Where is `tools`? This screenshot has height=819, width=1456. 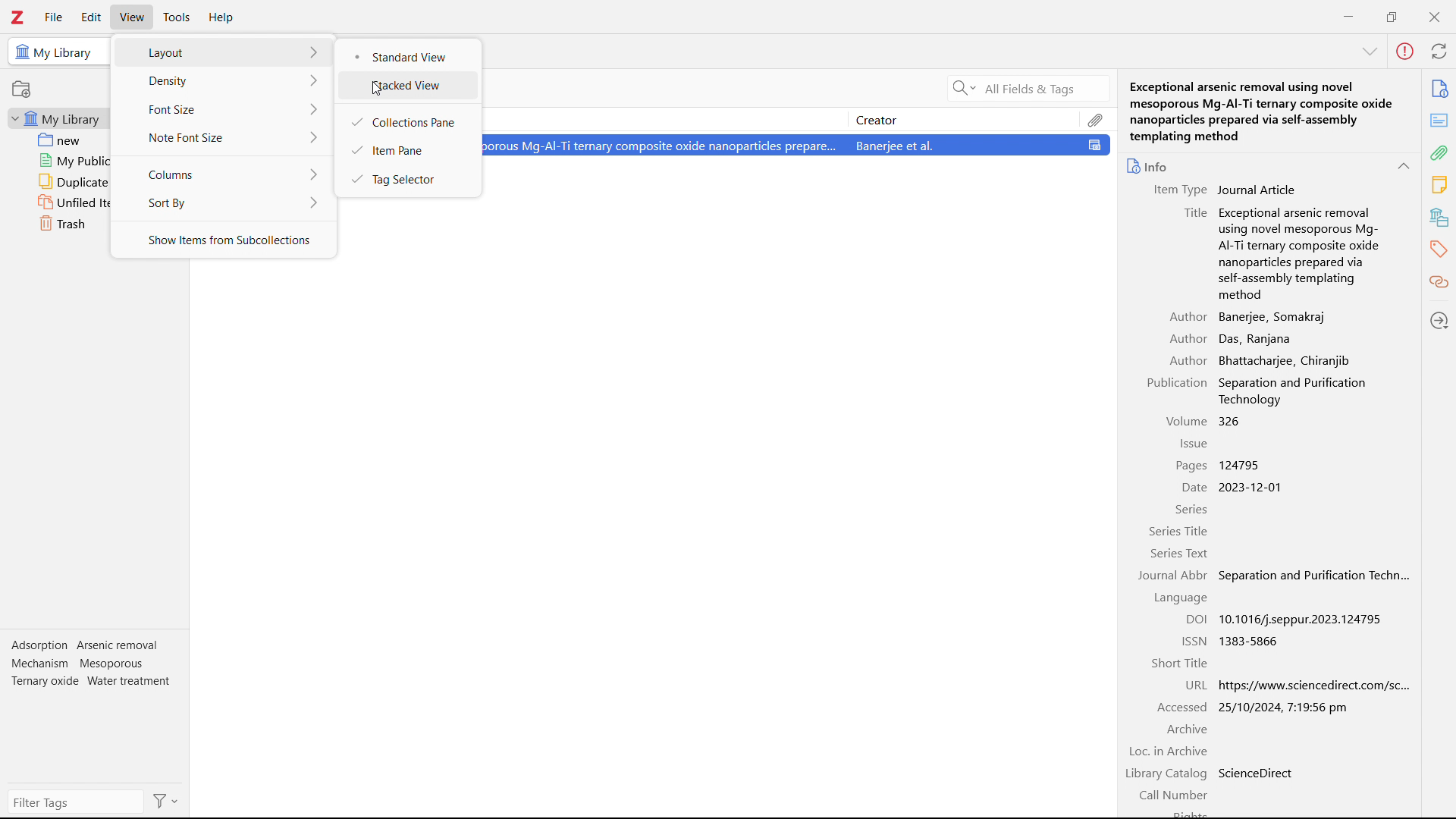
tools is located at coordinates (177, 17).